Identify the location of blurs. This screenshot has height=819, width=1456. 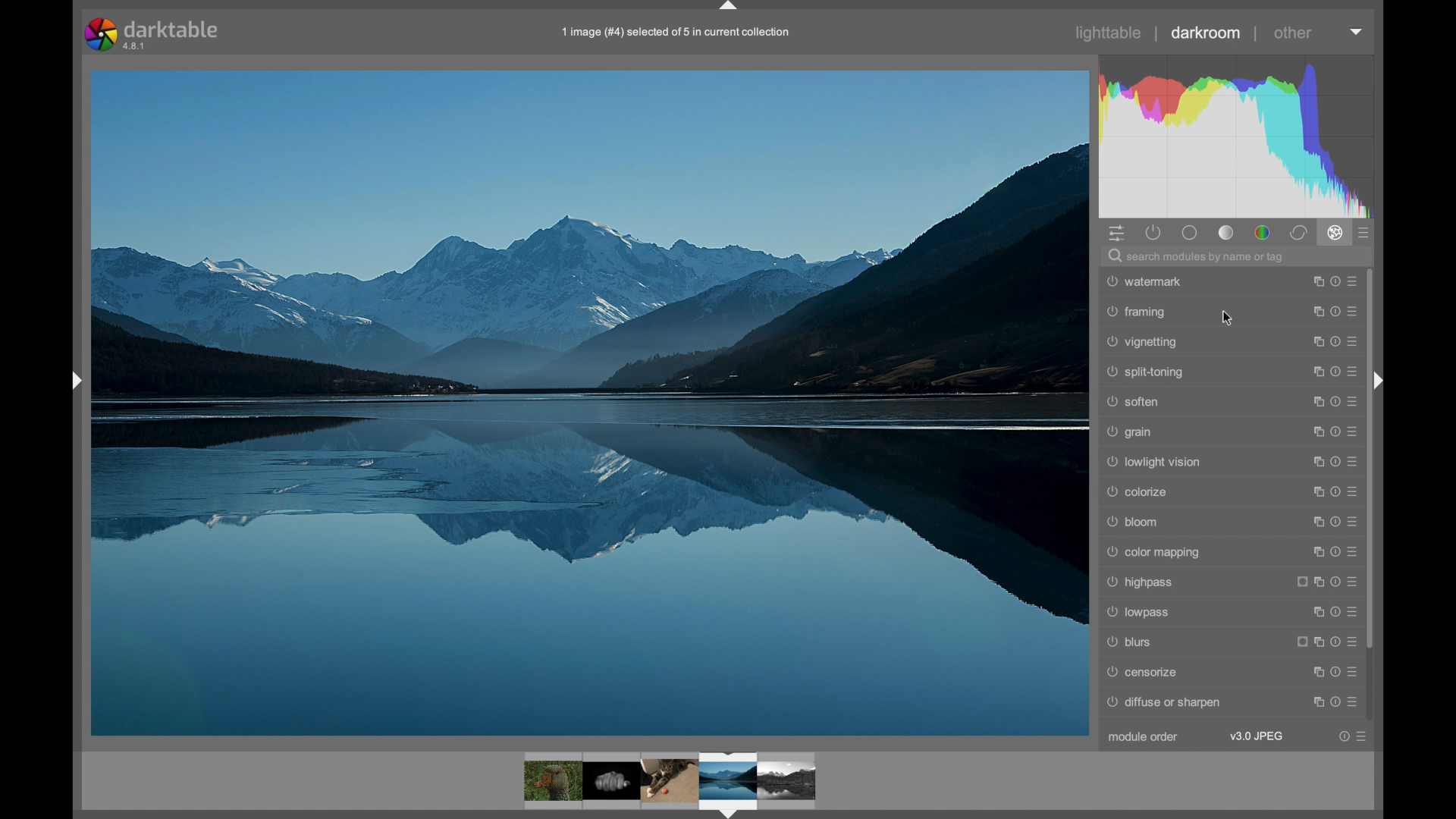
(1129, 642).